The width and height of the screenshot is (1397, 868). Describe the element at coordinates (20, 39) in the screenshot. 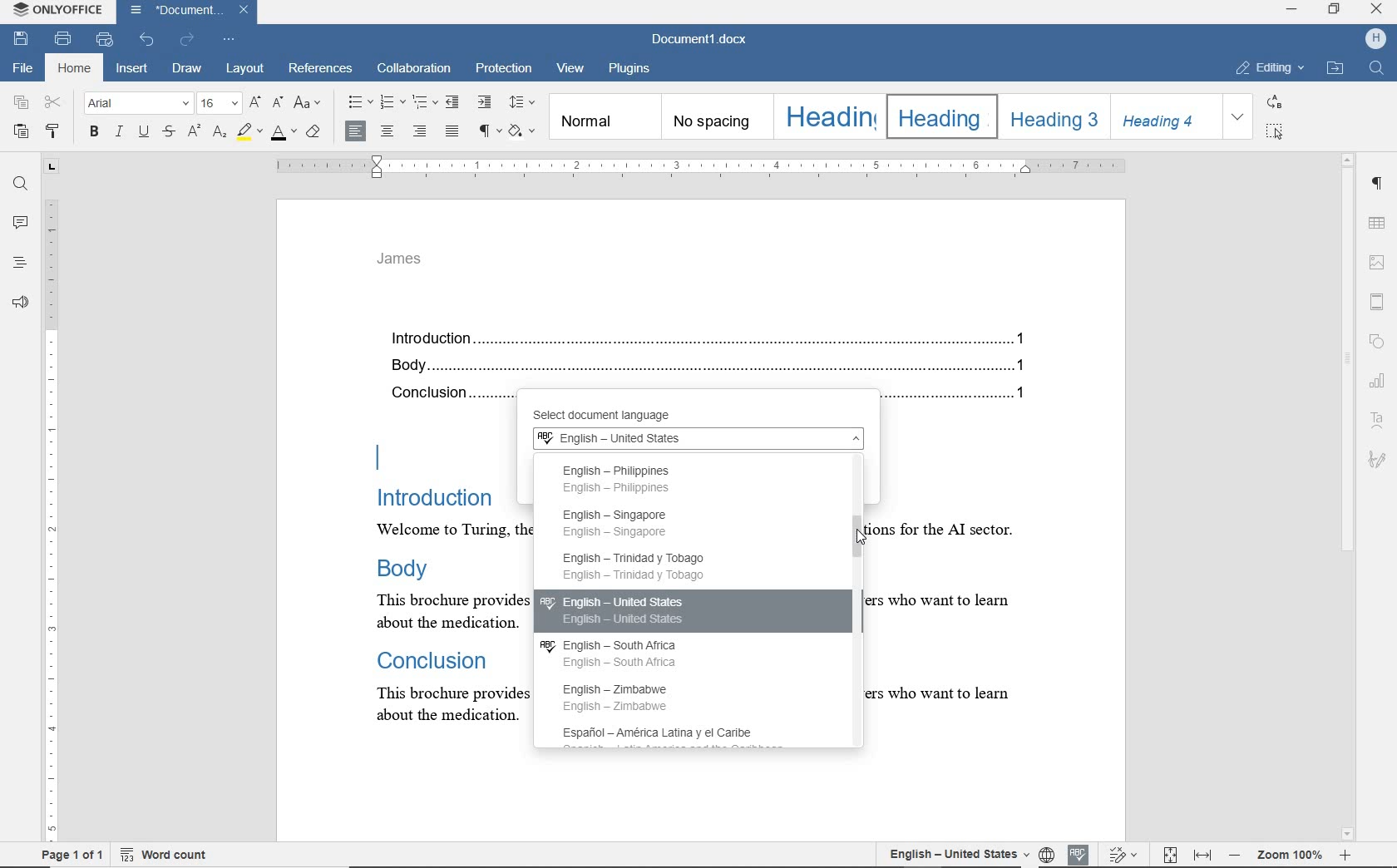

I see `save` at that location.